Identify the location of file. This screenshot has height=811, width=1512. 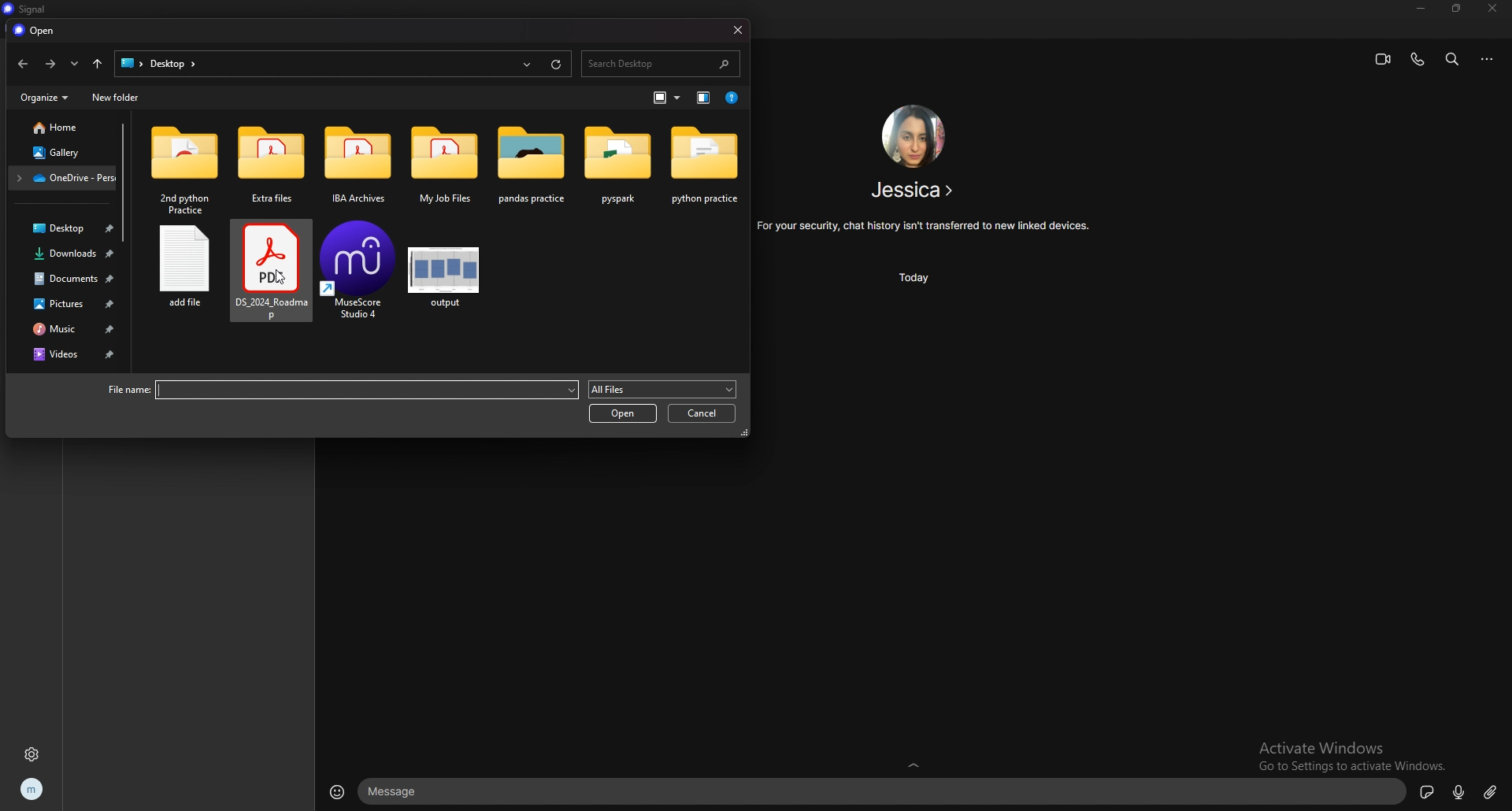
(445, 279).